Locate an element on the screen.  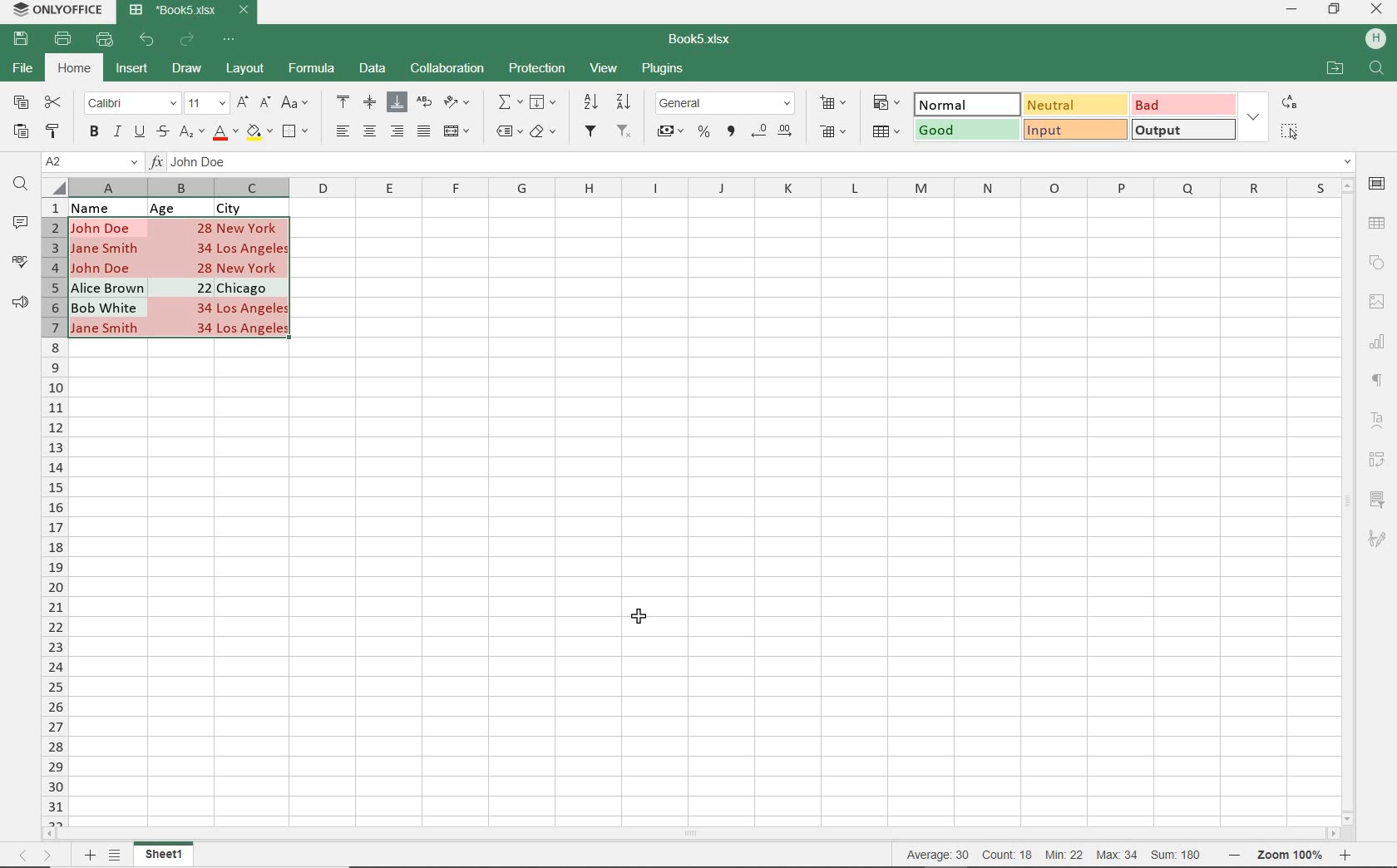
COMMA STYLE is located at coordinates (729, 131).